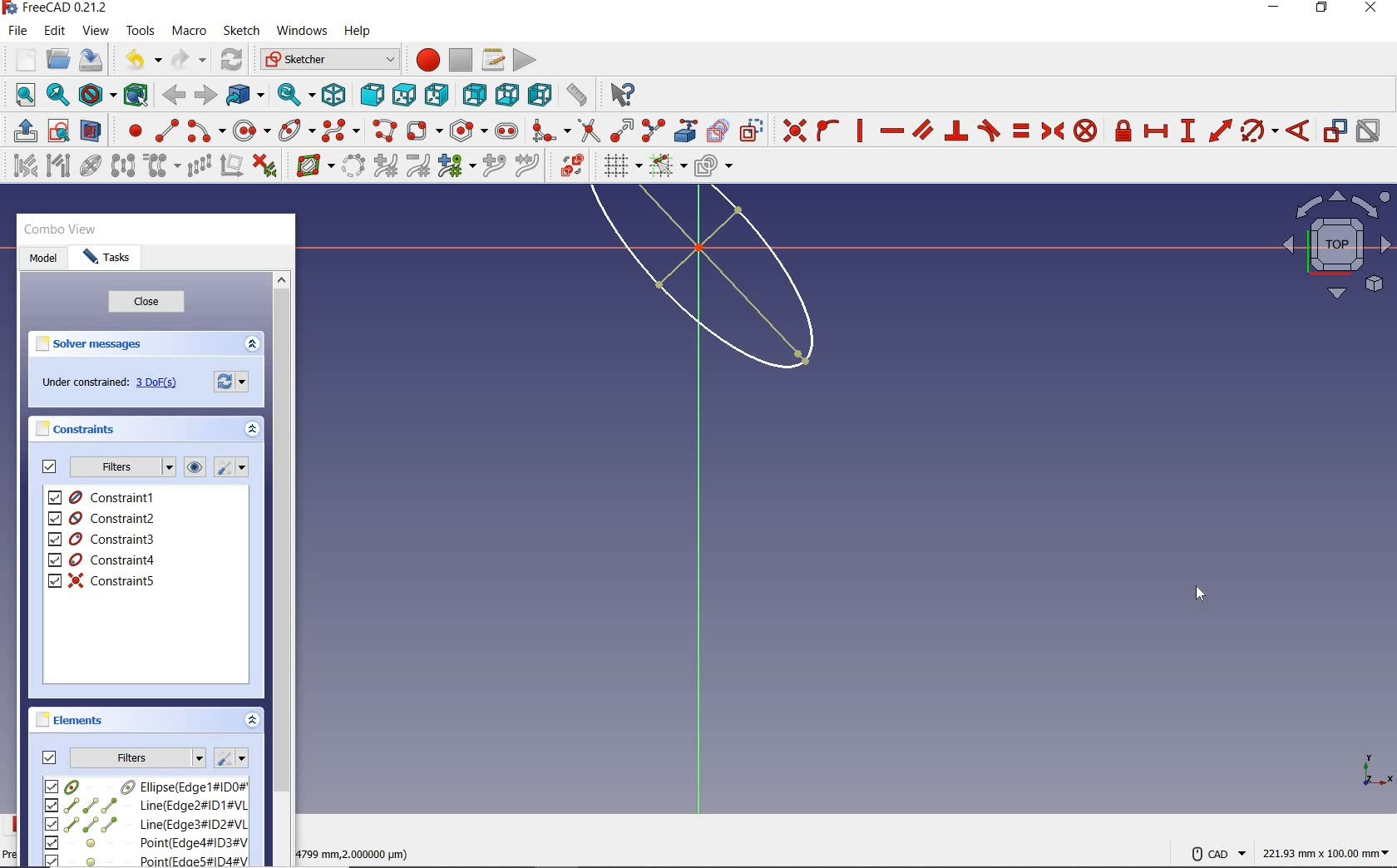 The height and width of the screenshot is (868, 1397). Describe the element at coordinates (72, 719) in the screenshot. I see `elements` at that location.